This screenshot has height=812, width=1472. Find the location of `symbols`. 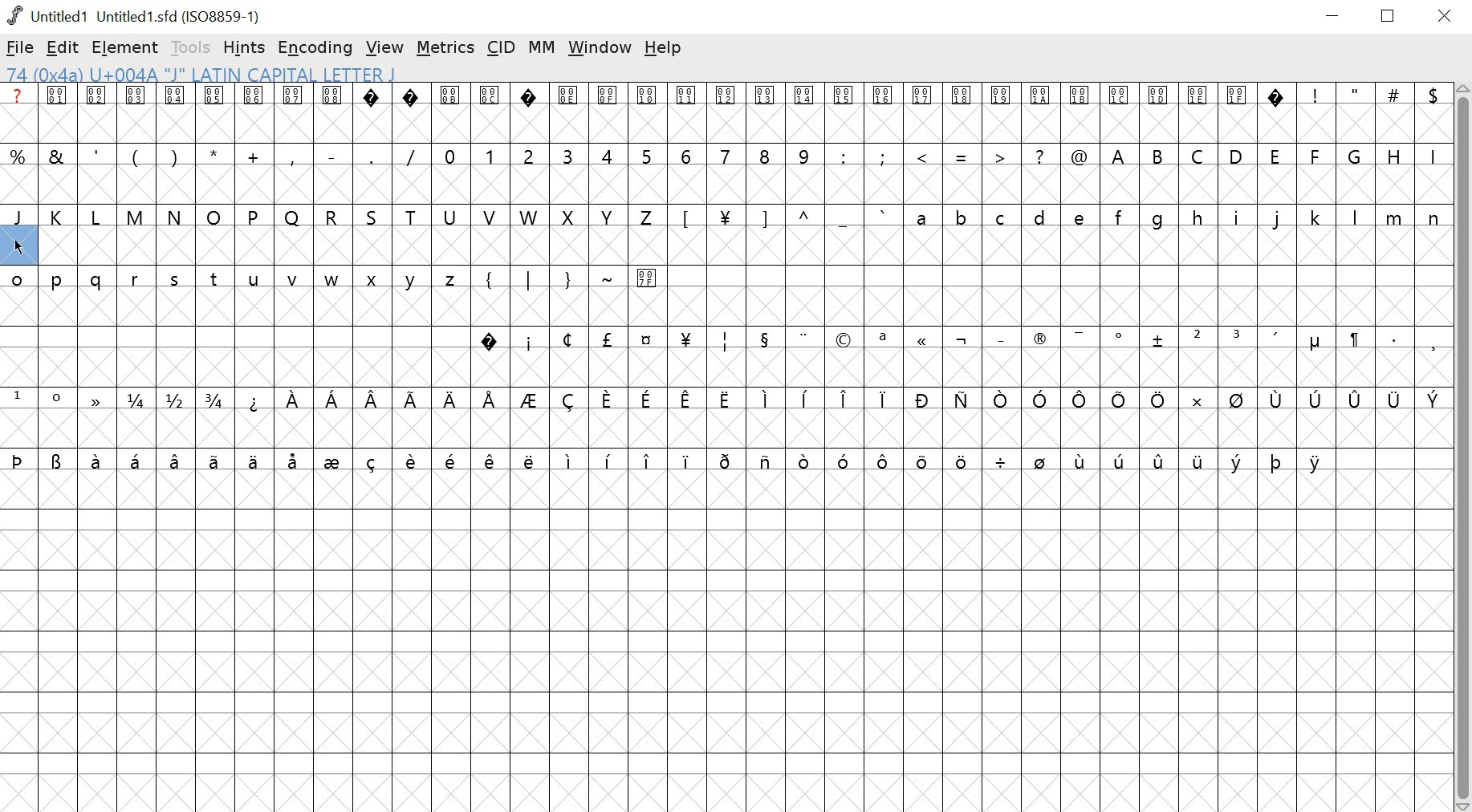

symbols is located at coordinates (565, 278).